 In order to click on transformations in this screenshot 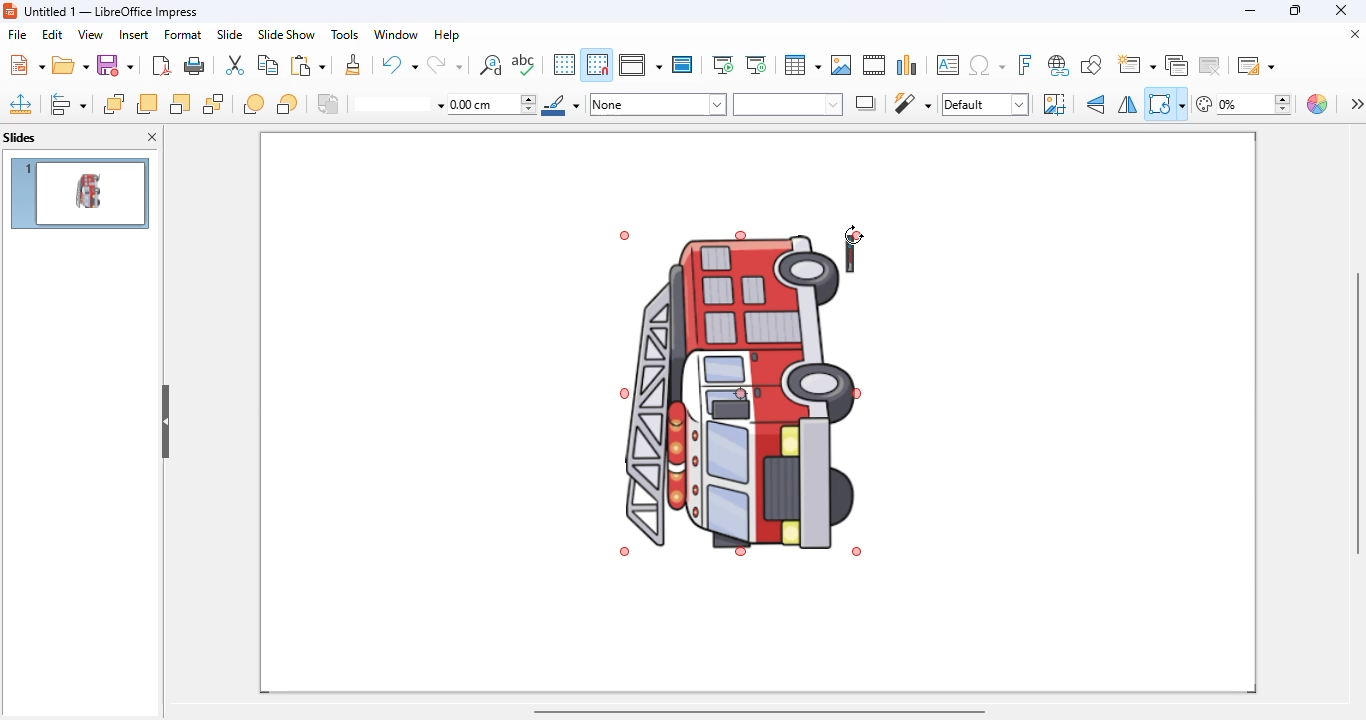, I will do `click(1166, 104)`.